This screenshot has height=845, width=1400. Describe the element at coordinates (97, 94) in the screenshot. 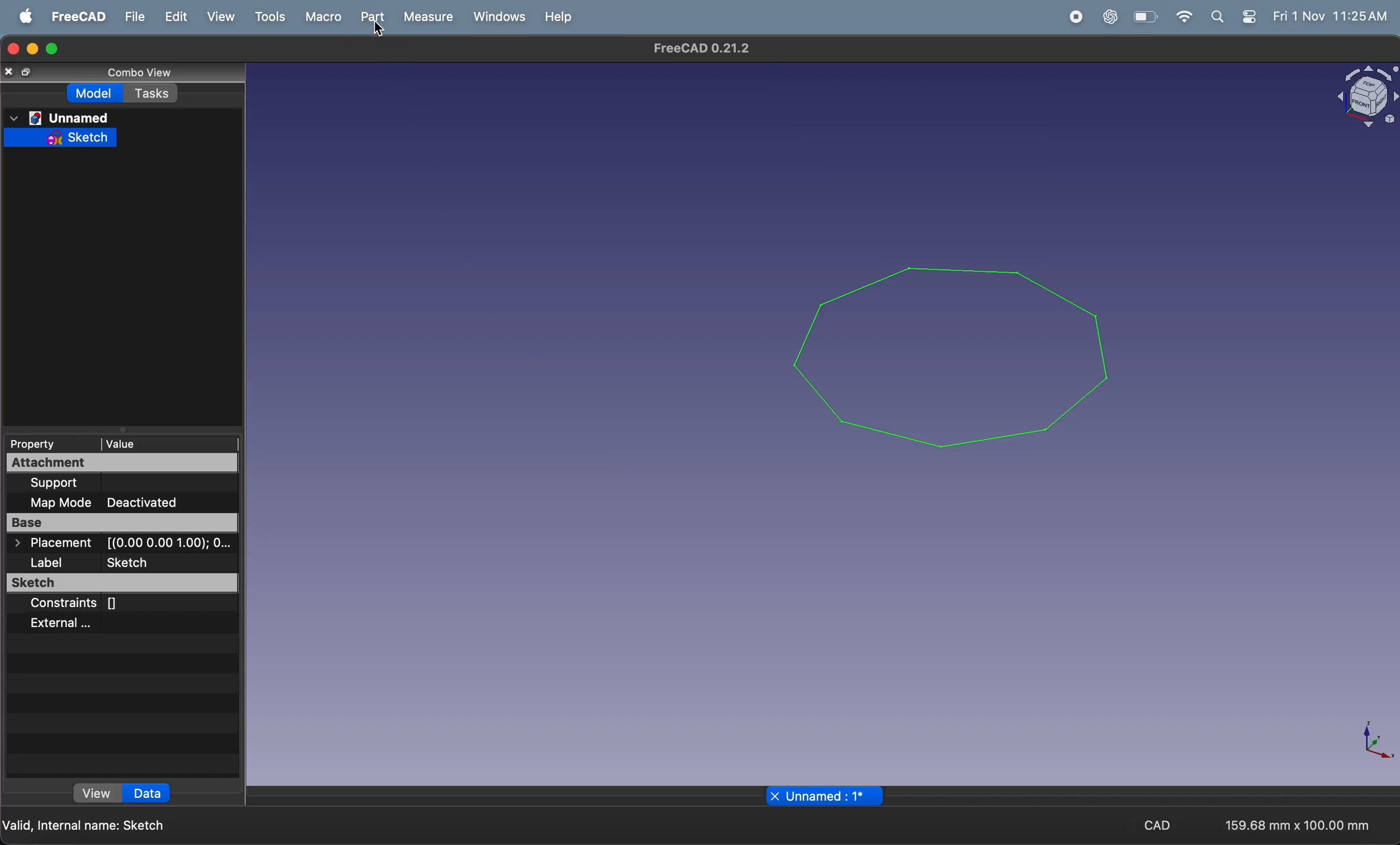

I see `Model` at that location.